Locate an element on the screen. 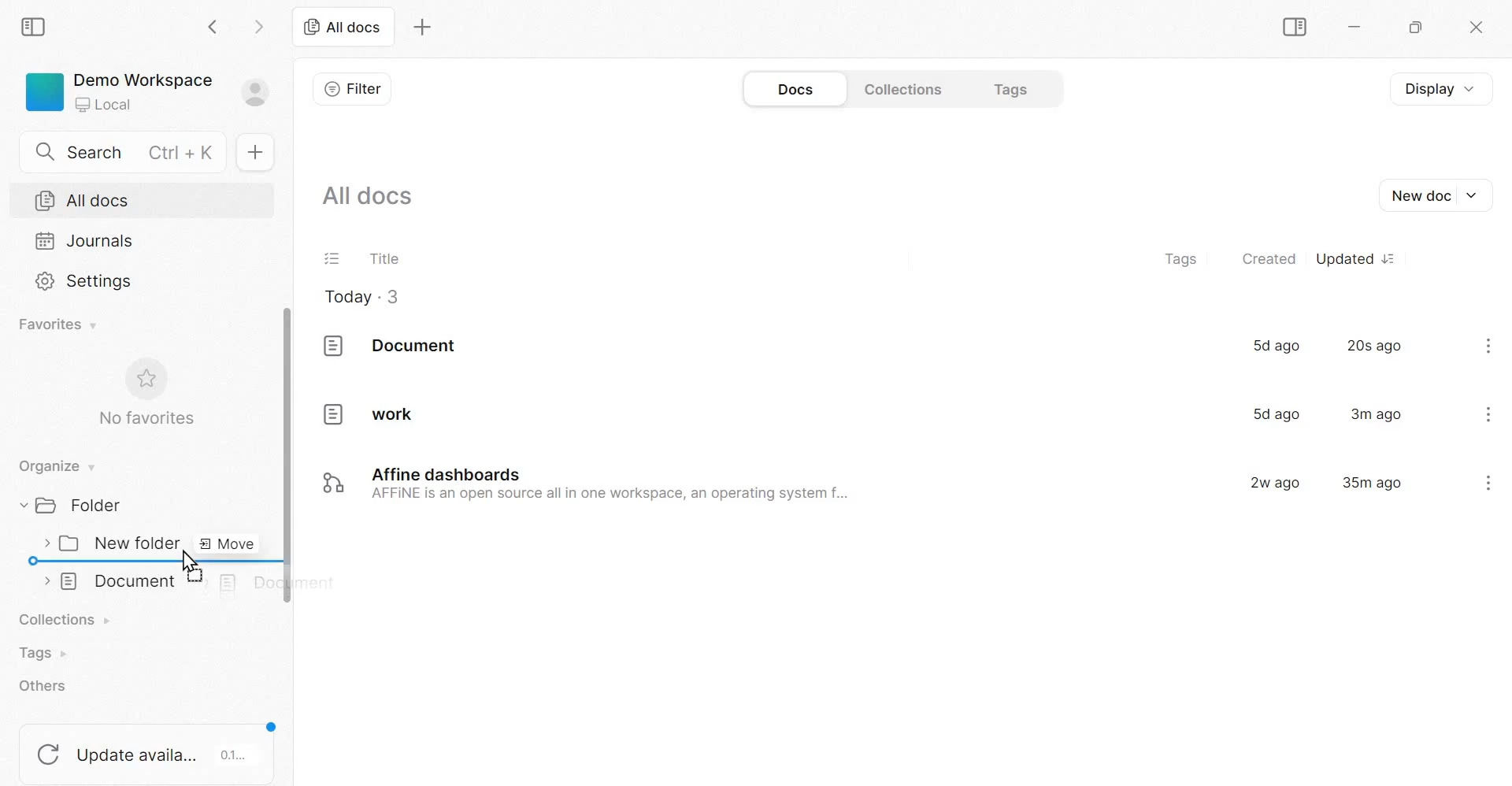 This screenshot has height=786, width=1512. Tags is located at coordinates (43, 653).